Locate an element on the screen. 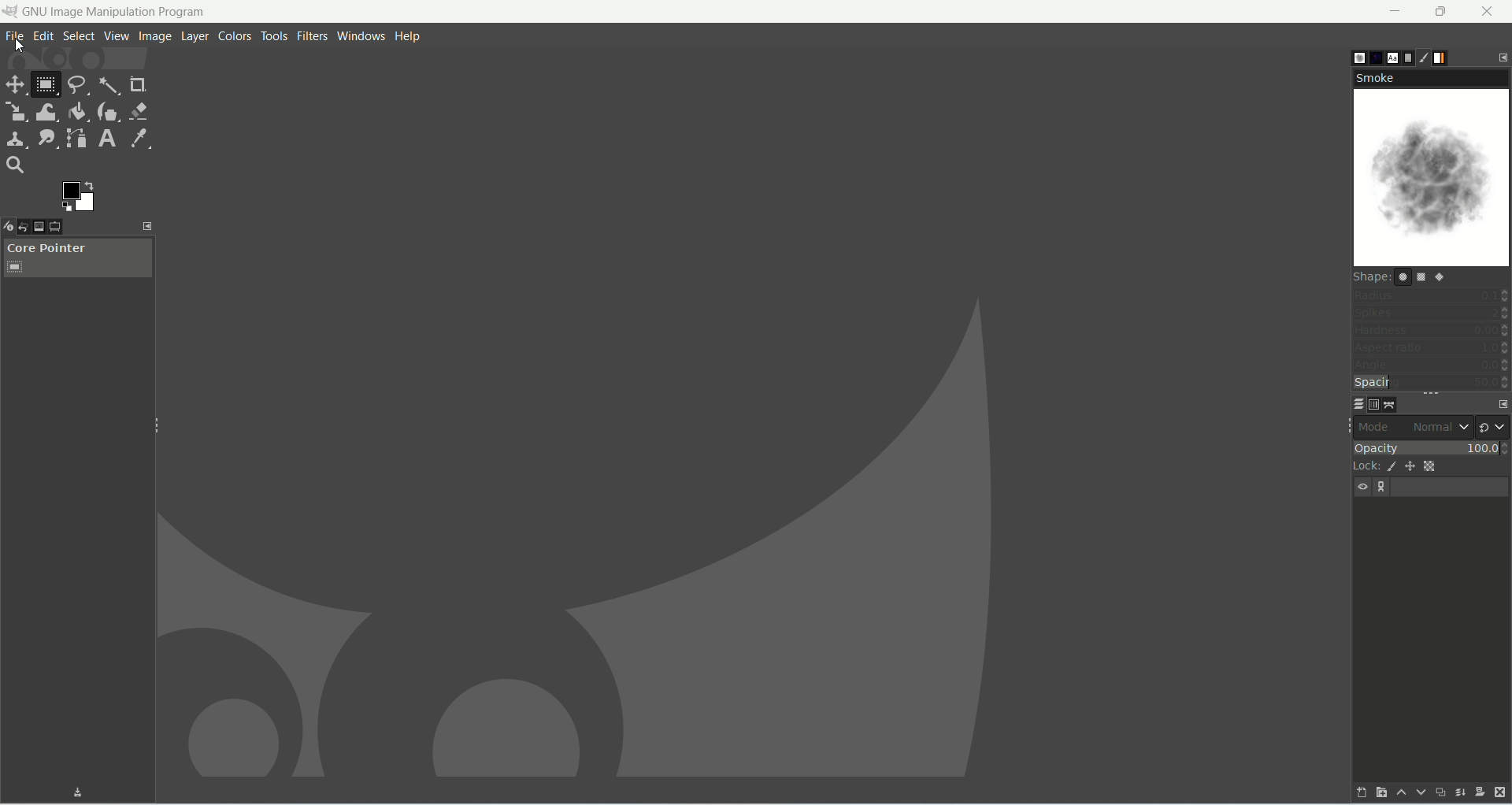 Image resolution: width=1512 pixels, height=805 pixels. normal is located at coordinates (1440, 427).